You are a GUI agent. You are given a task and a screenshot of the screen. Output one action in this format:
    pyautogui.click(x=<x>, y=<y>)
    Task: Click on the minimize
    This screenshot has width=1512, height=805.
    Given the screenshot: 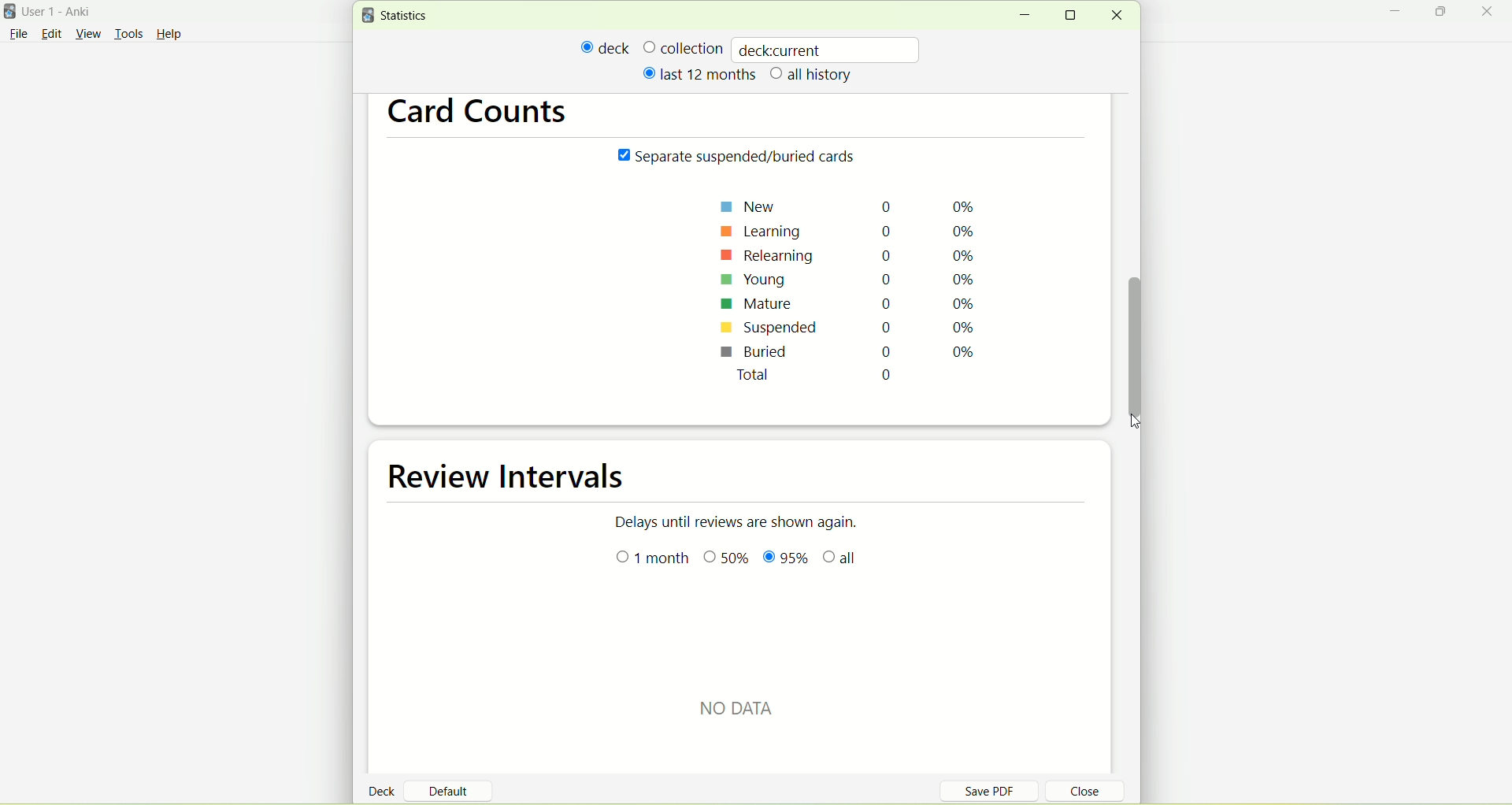 What is the action you would take?
    pyautogui.click(x=1024, y=16)
    